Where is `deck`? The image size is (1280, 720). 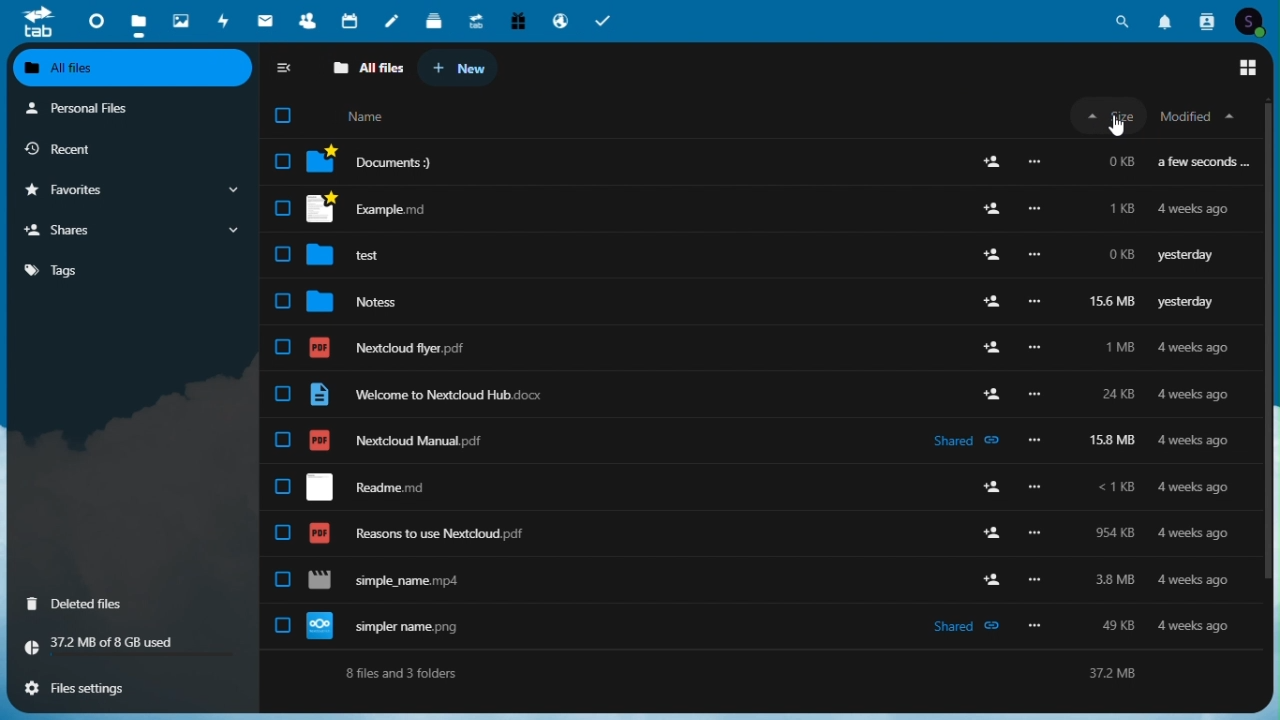 deck is located at coordinates (434, 20).